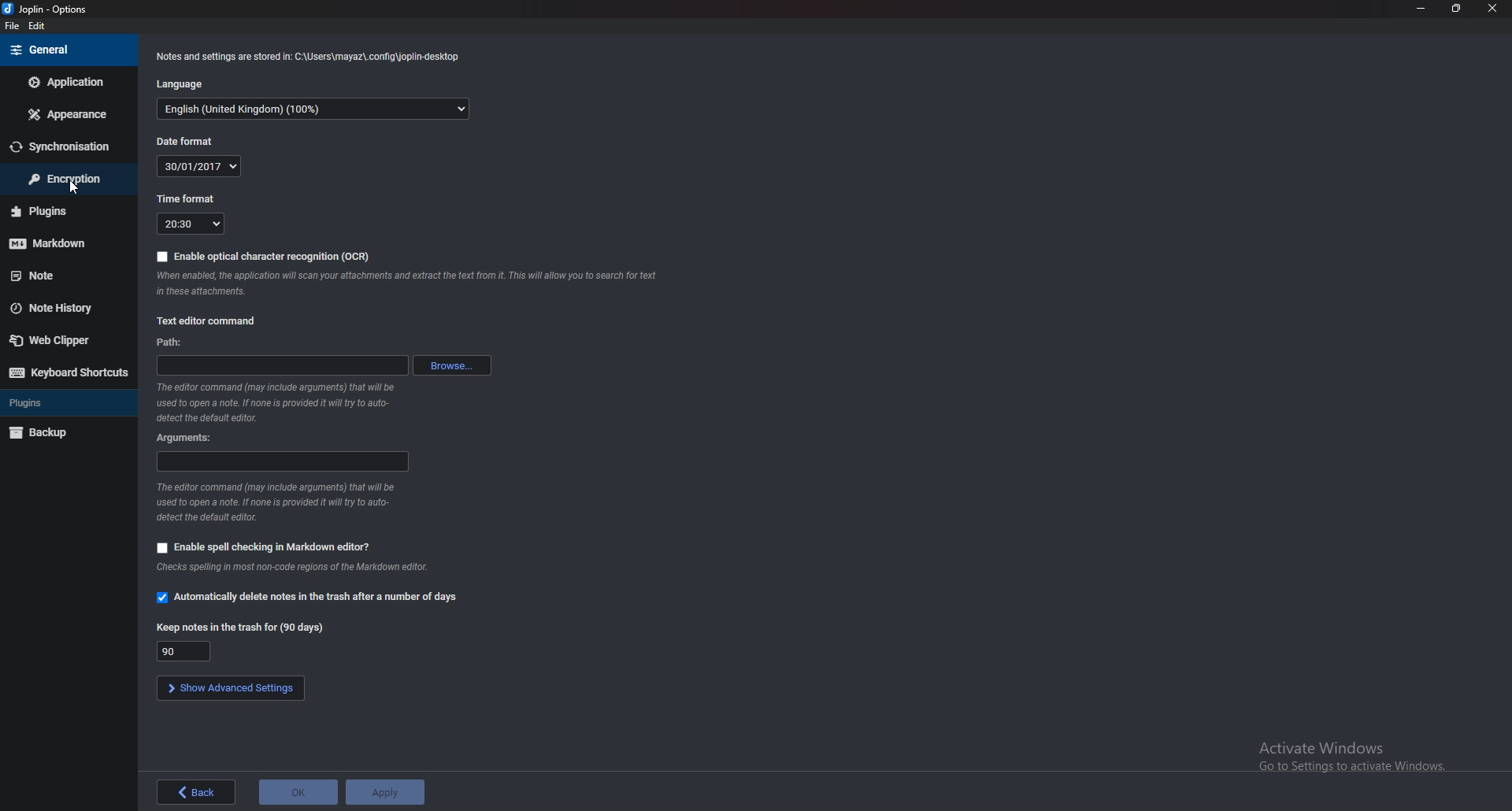 Image resolution: width=1512 pixels, height=811 pixels. I want to click on note, so click(65, 277).